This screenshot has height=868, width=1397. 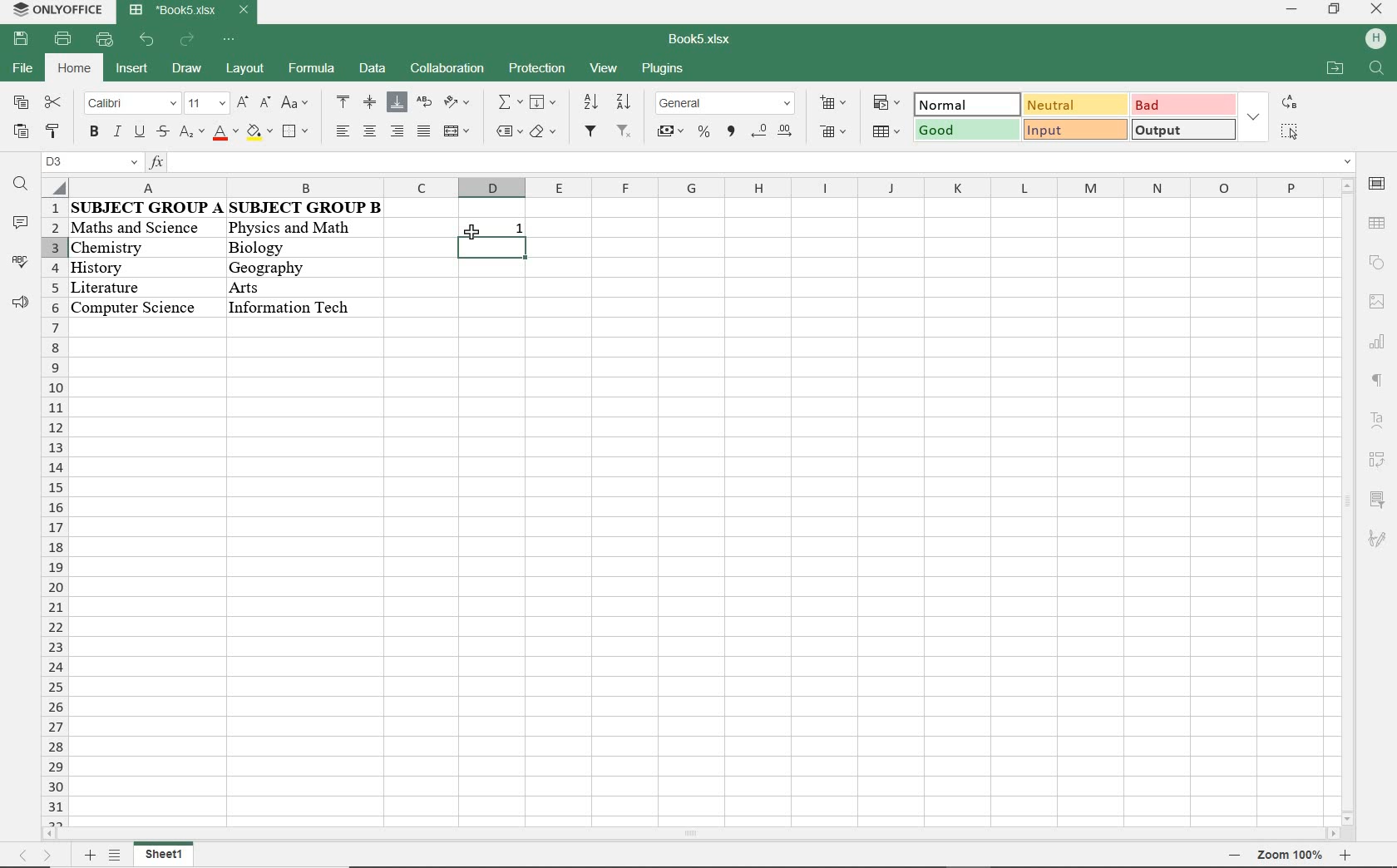 What do you see at coordinates (589, 102) in the screenshot?
I see `sort ascending` at bounding box center [589, 102].